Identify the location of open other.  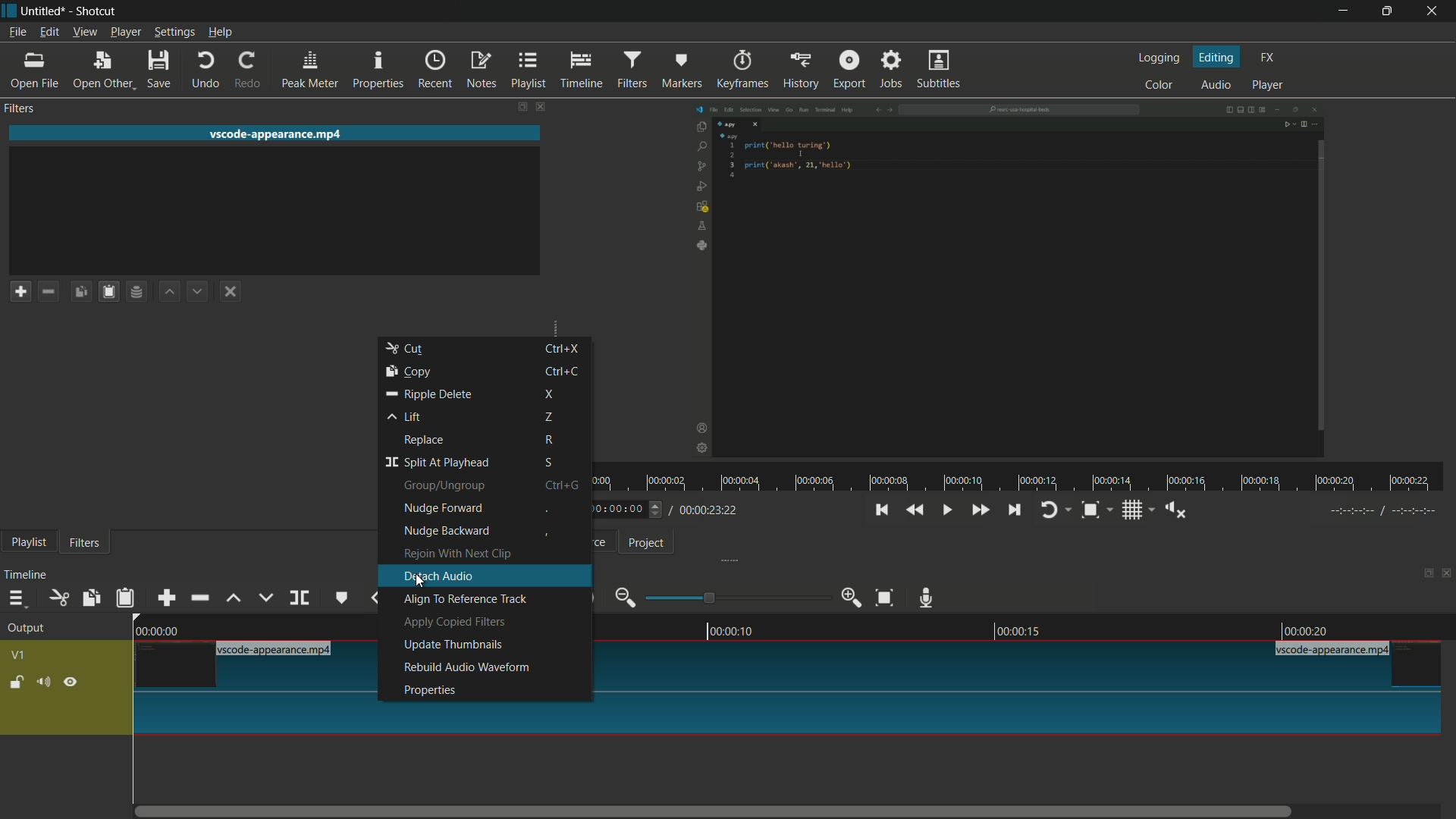
(106, 69).